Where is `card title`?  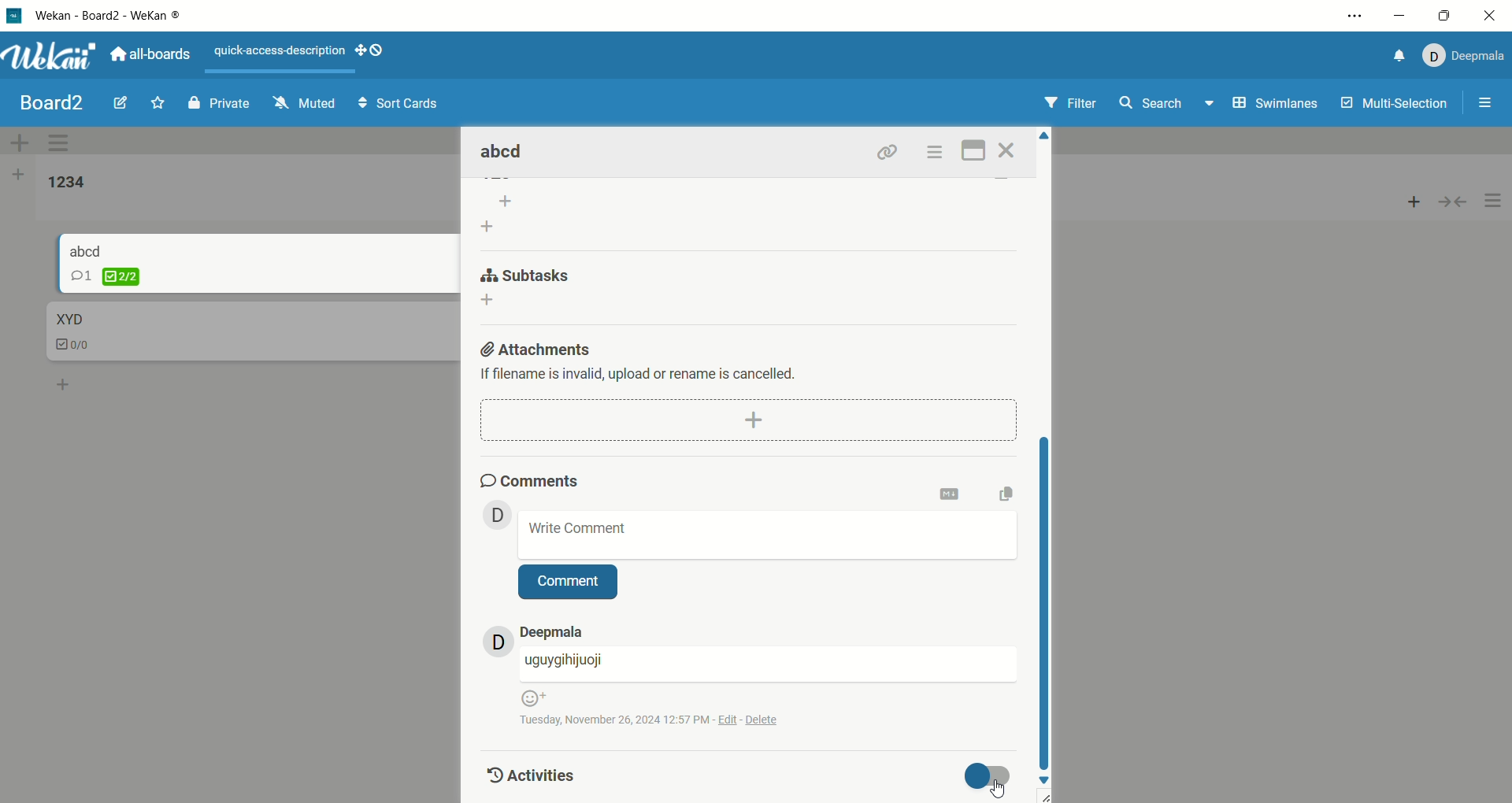 card title is located at coordinates (68, 320).